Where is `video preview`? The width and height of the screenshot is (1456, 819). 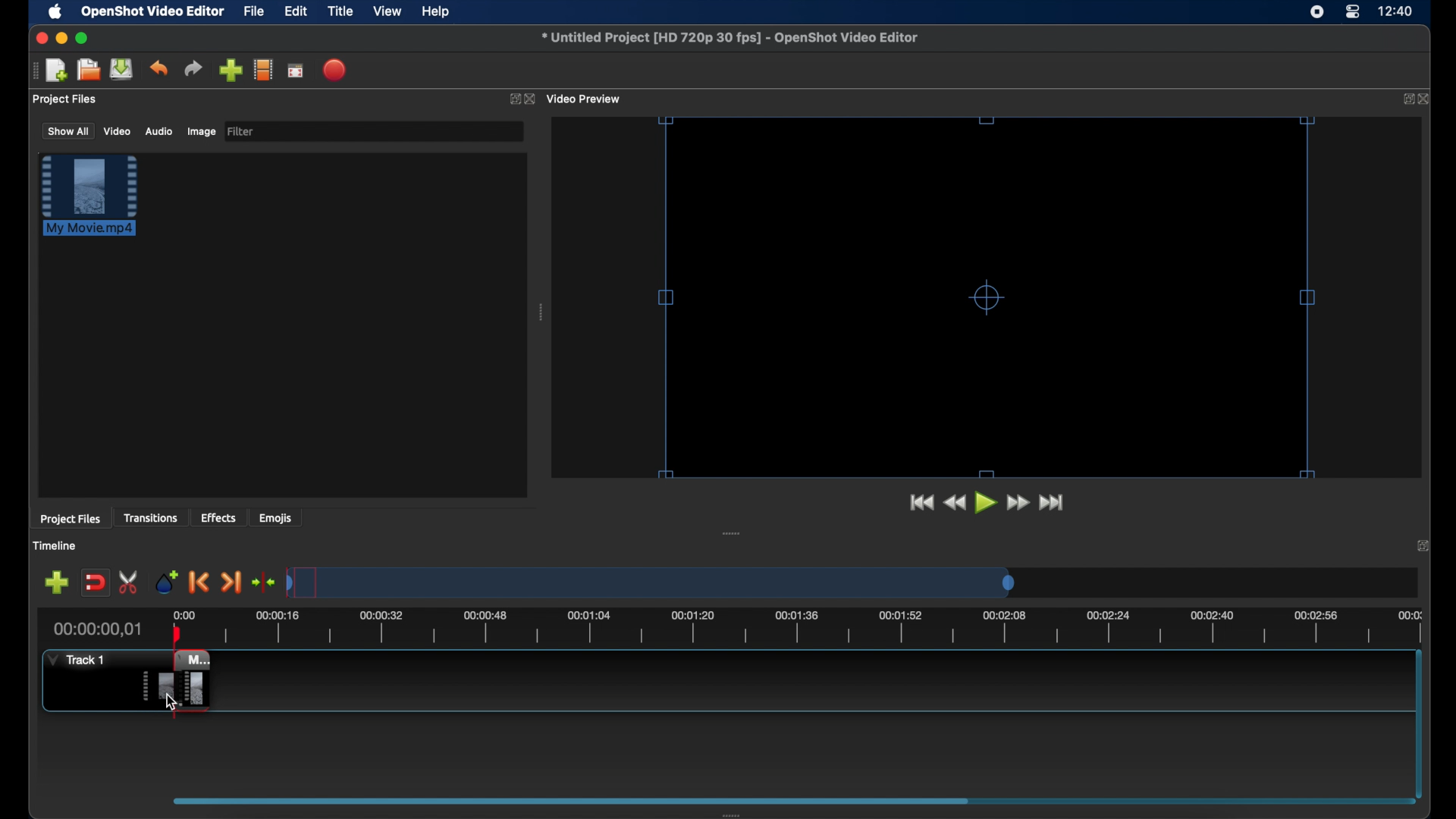
video preview is located at coordinates (585, 99).